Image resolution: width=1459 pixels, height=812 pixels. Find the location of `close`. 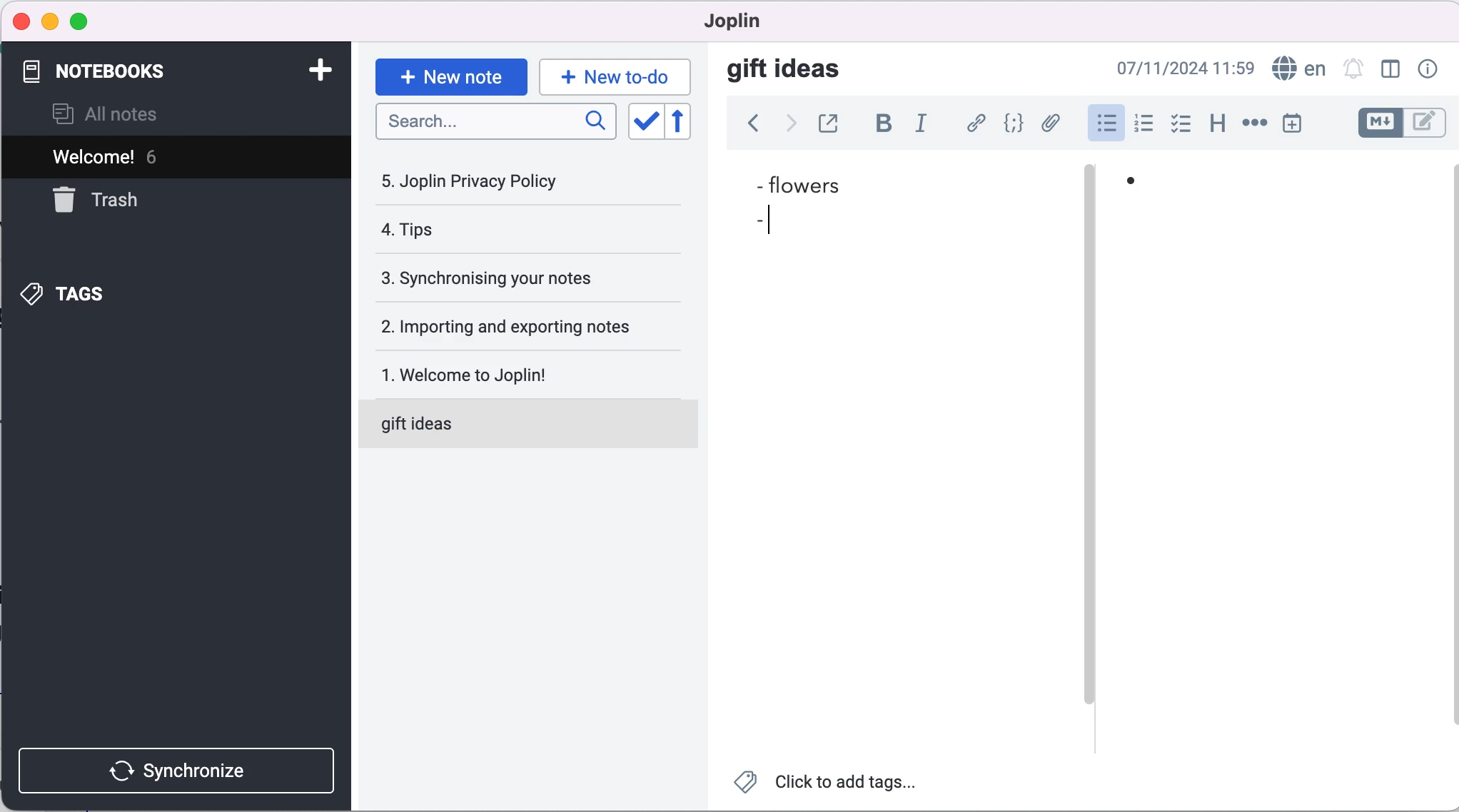

close is located at coordinates (22, 22).